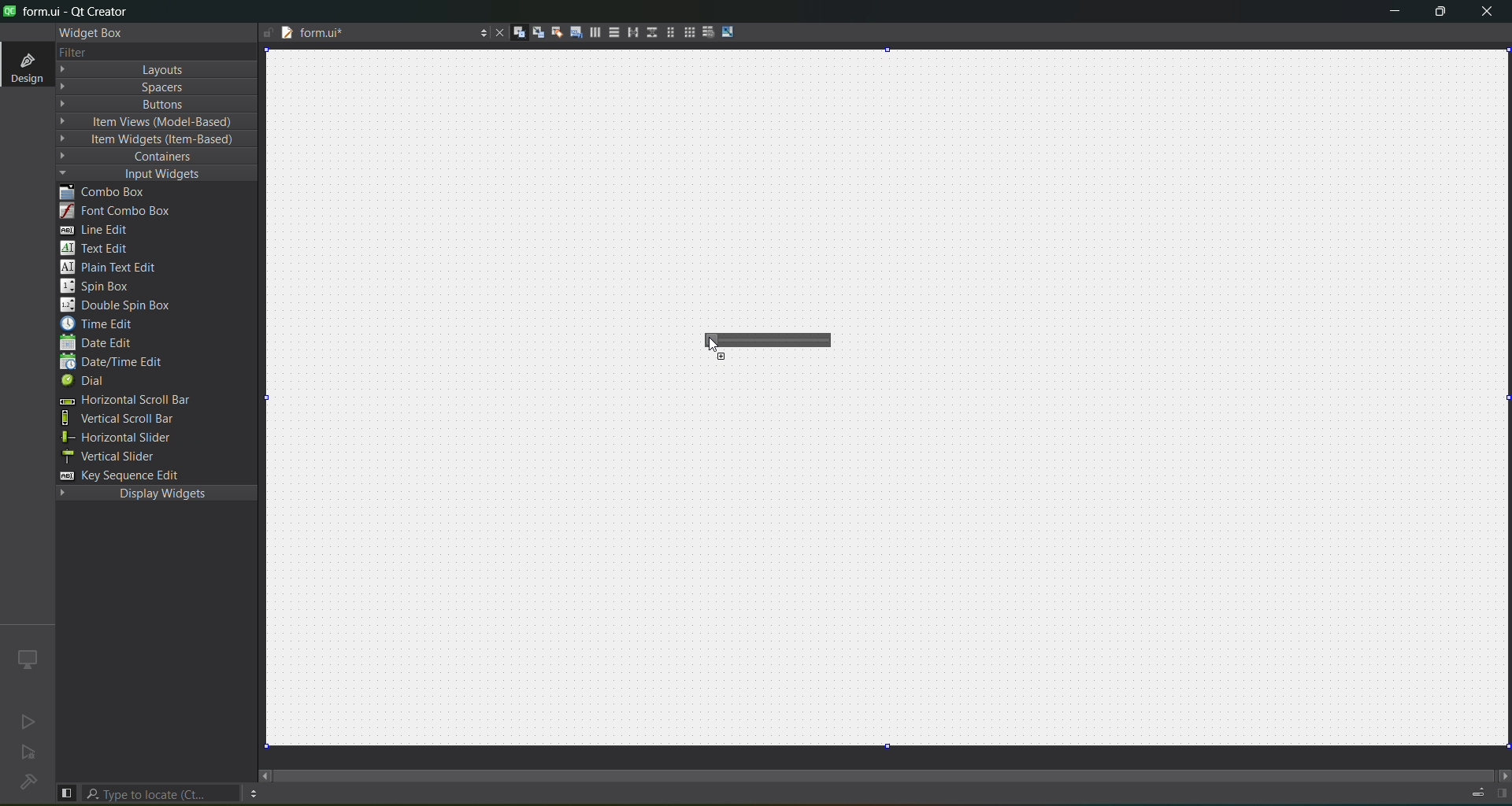  Describe the element at coordinates (153, 497) in the screenshot. I see `display widgets` at that location.